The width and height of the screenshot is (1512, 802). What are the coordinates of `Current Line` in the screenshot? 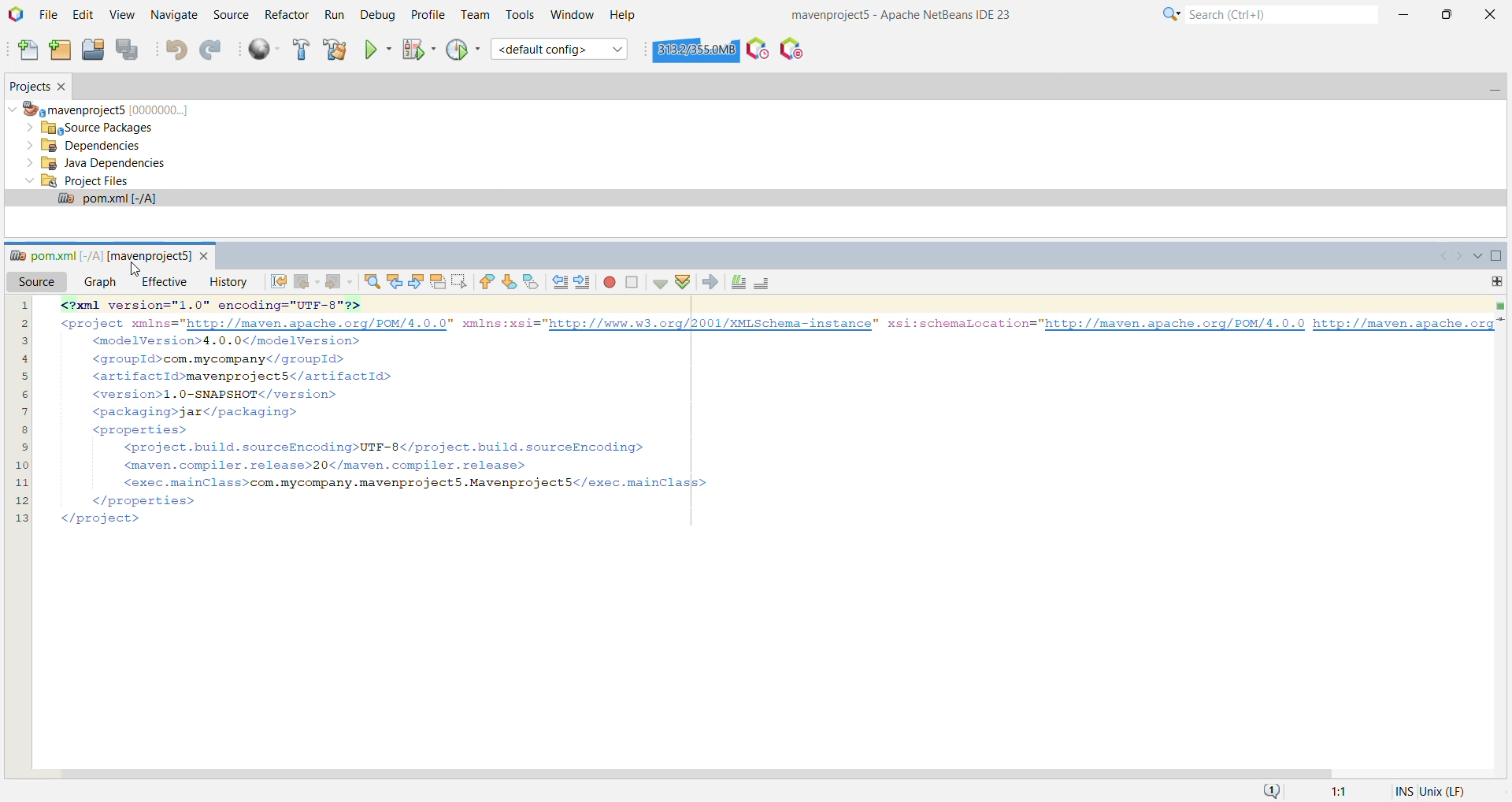 It's located at (1502, 321).